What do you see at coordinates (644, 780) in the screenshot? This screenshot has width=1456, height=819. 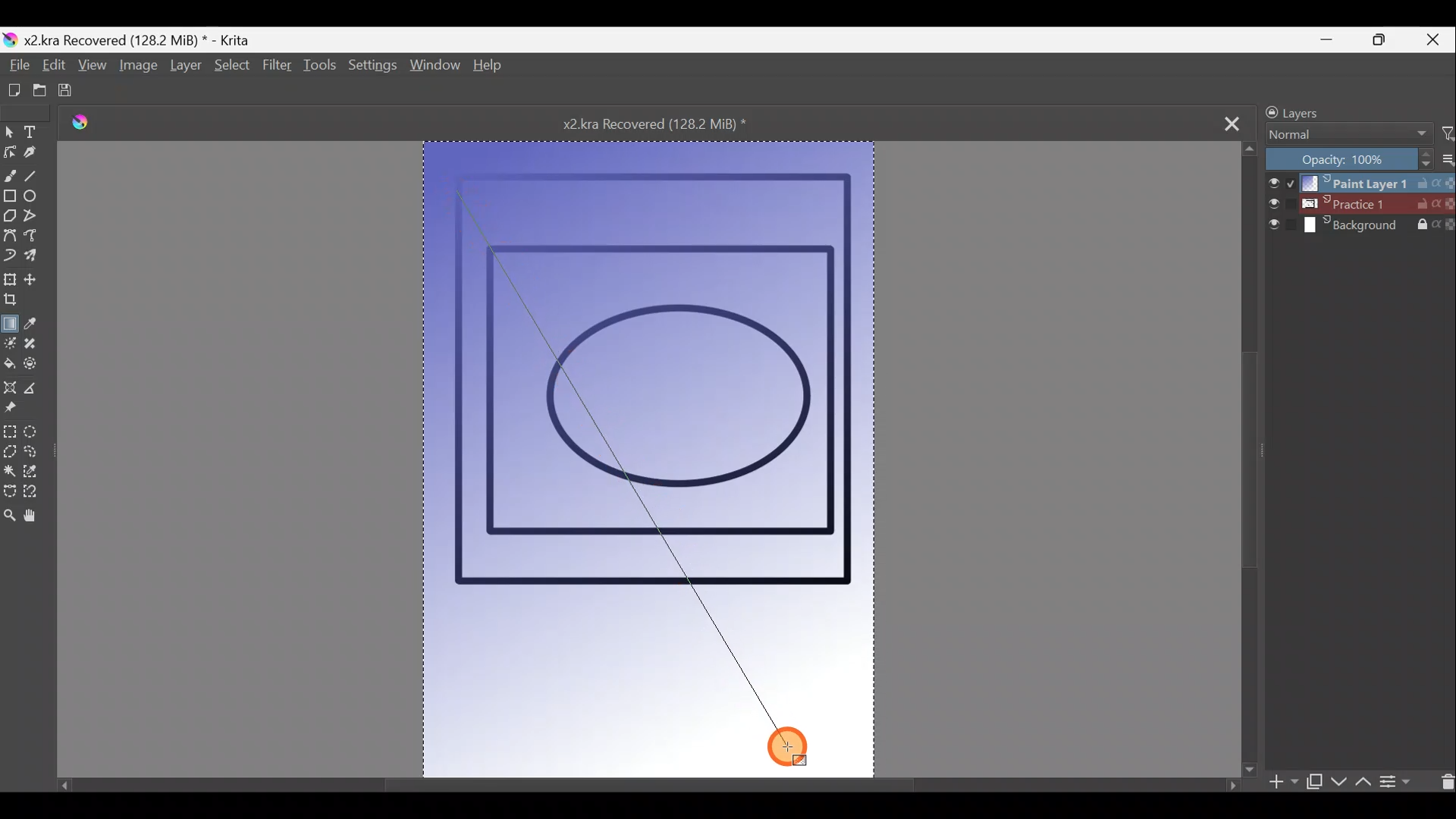 I see `Scroll bar` at bounding box center [644, 780].